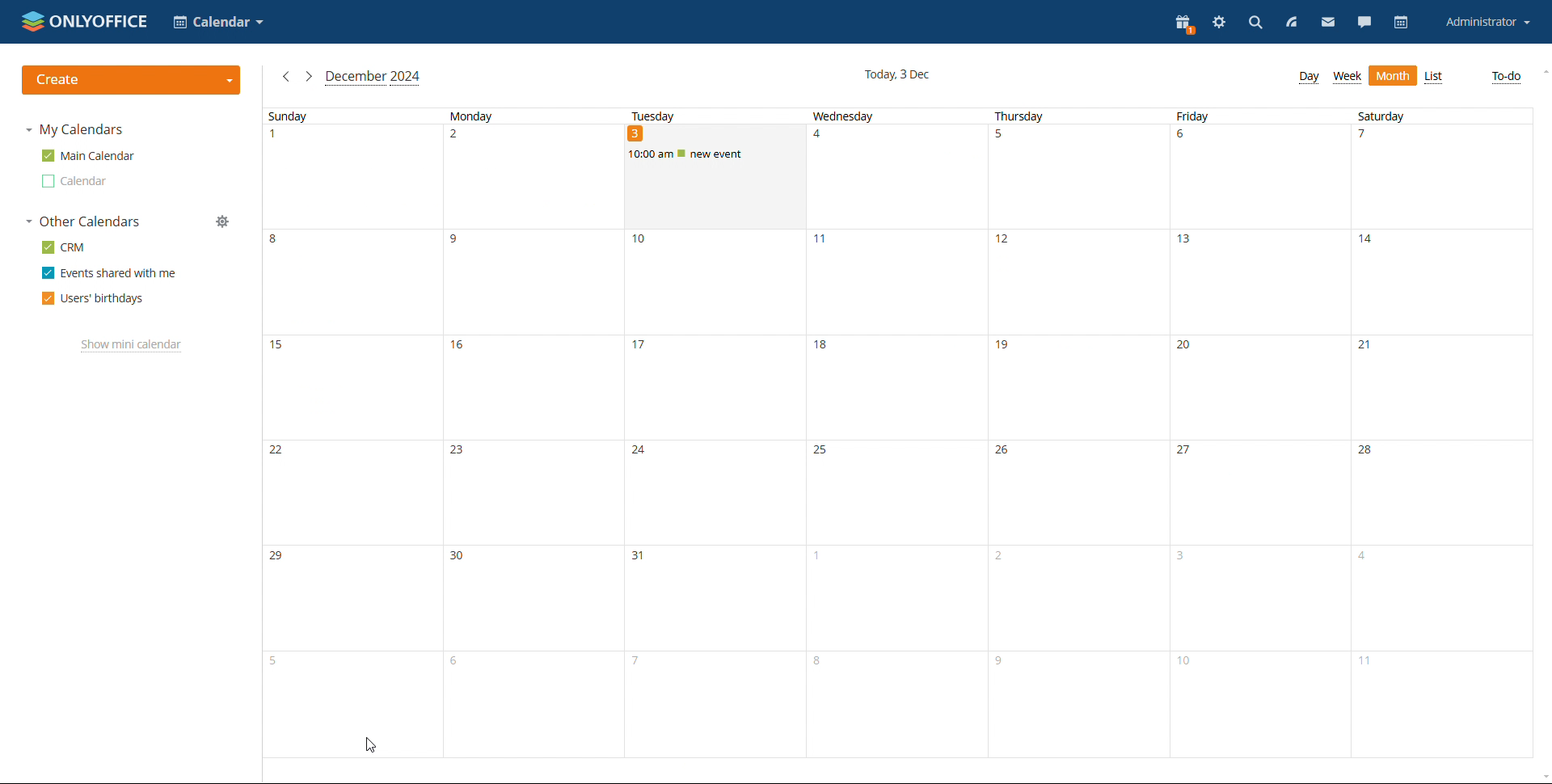 This screenshot has height=784, width=1552. What do you see at coordinates (1261, 597) in the screenshot?
I see `3` at bounding box center [1261, 597].